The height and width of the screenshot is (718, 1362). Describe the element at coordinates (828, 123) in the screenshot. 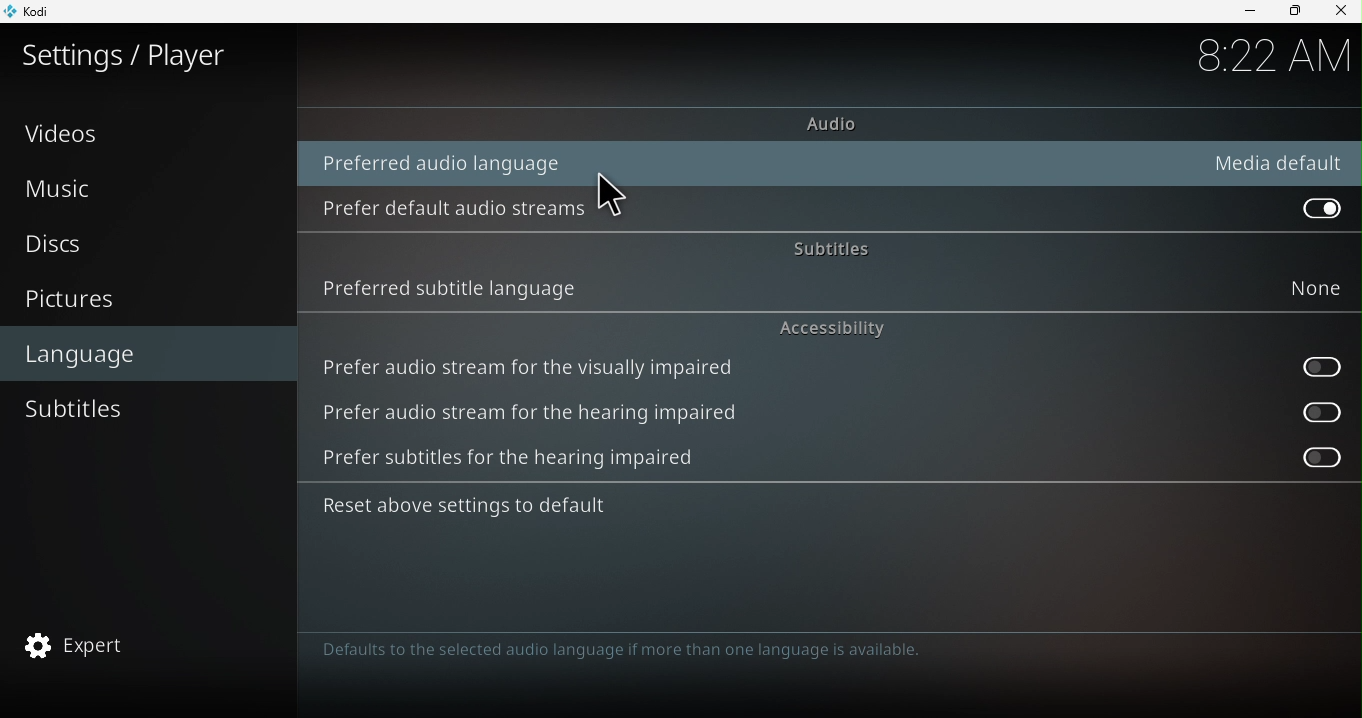

I see `Audio` at that location.